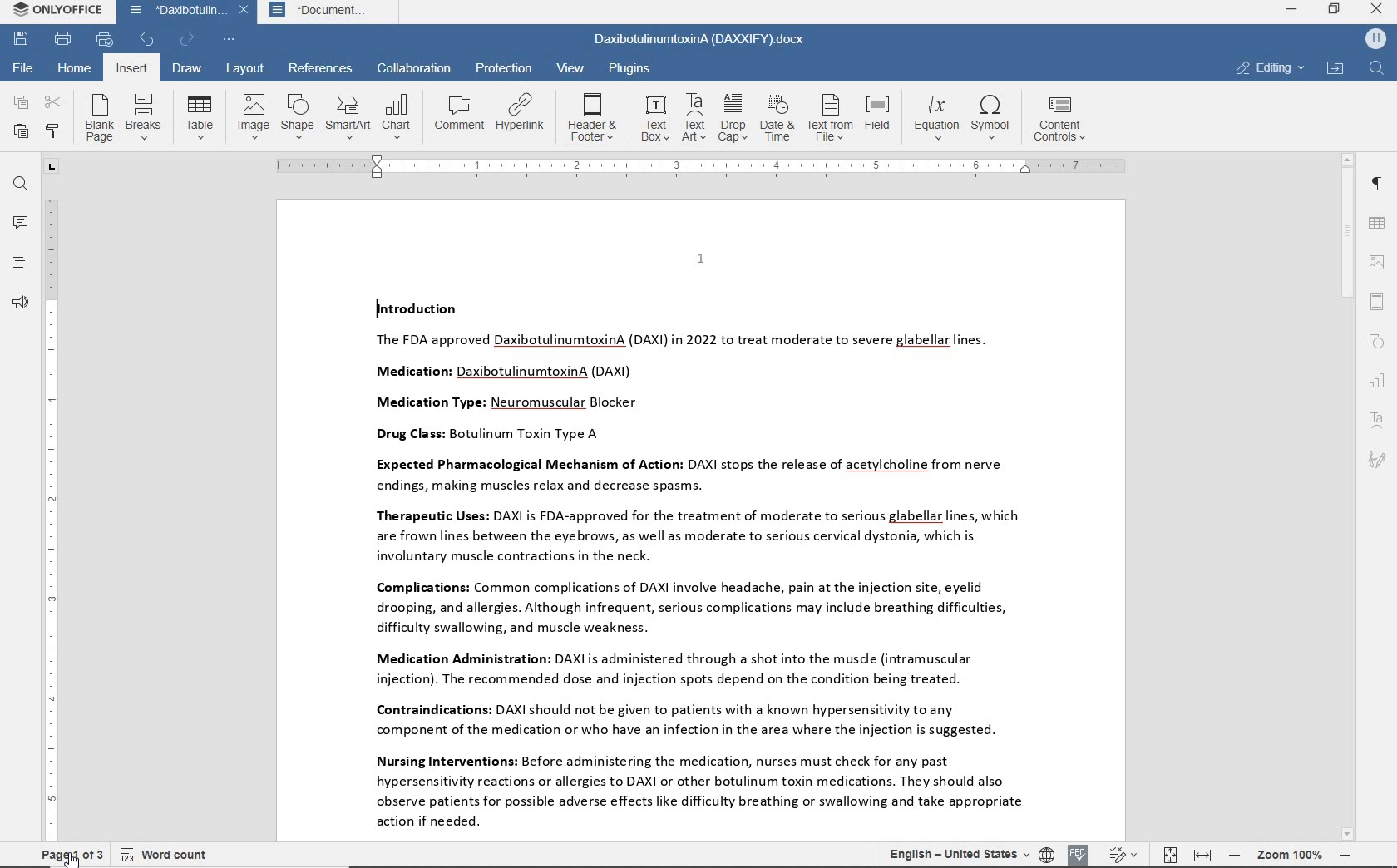 The width and height of the screenshot is (1397, 868). I want to click on collaboration, so click(415, 68).